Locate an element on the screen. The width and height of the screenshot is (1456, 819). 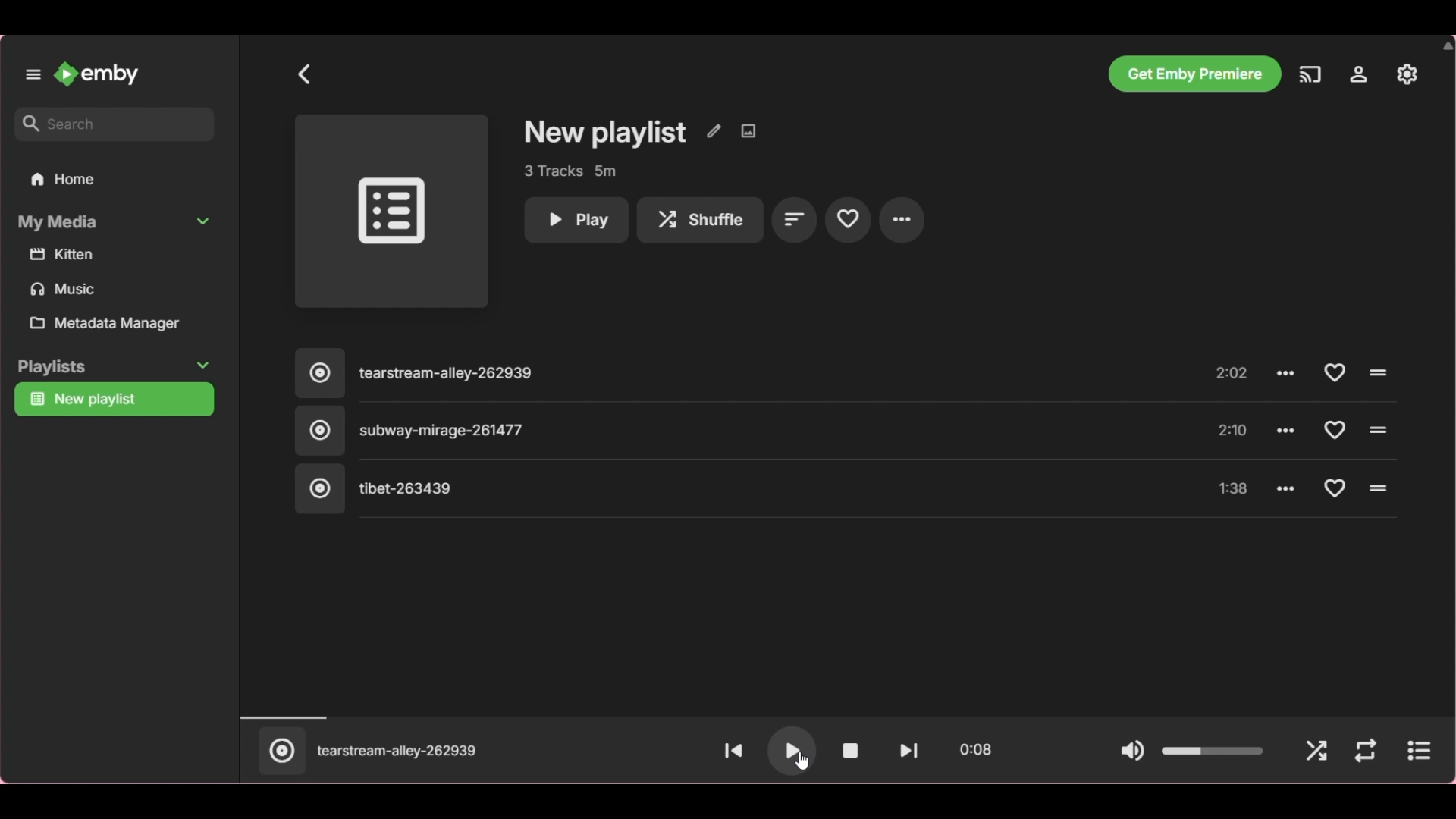
Edit images is located at coordinates (748, 131).